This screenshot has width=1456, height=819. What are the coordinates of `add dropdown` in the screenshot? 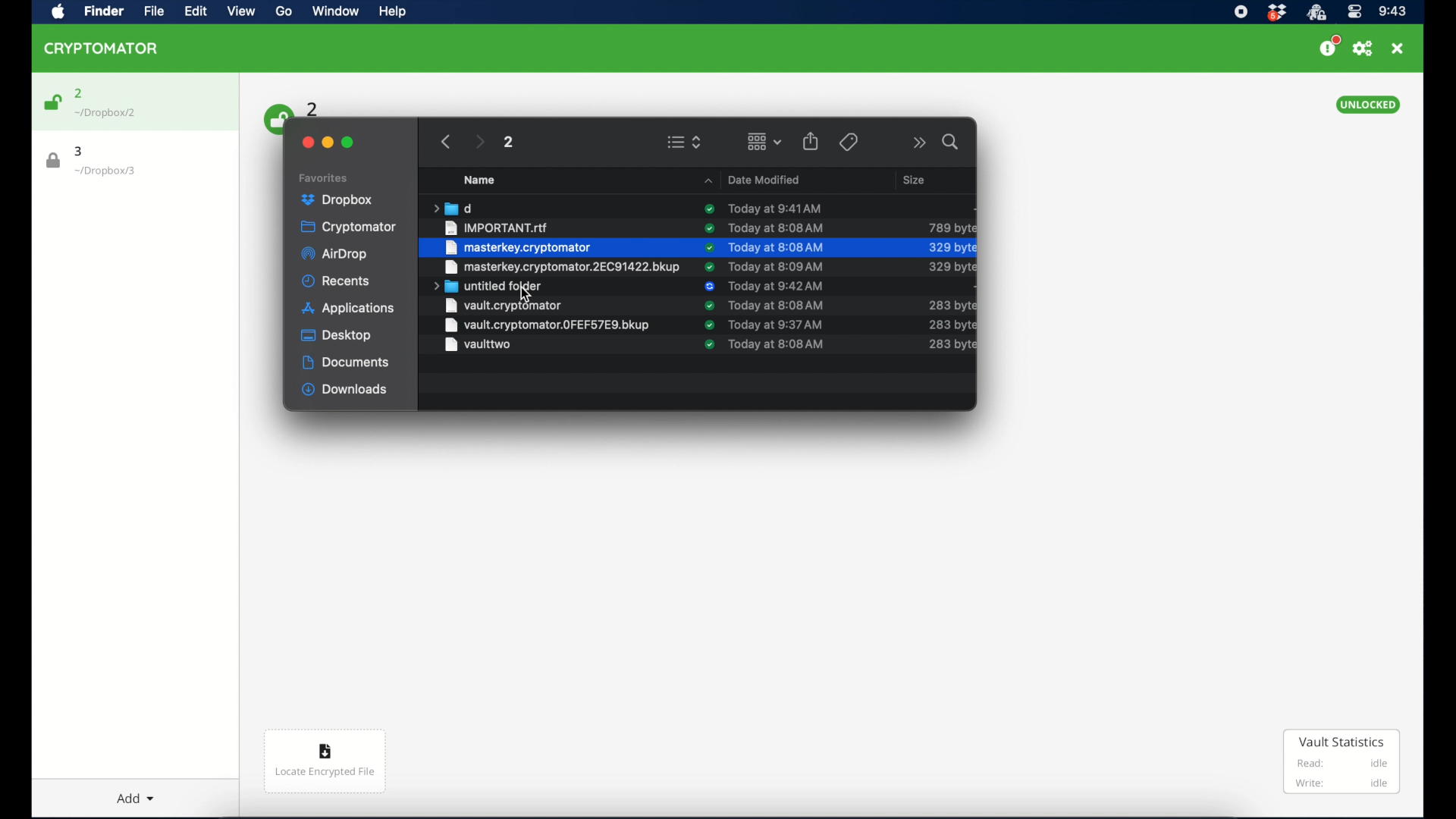 It's located at (129, 792).